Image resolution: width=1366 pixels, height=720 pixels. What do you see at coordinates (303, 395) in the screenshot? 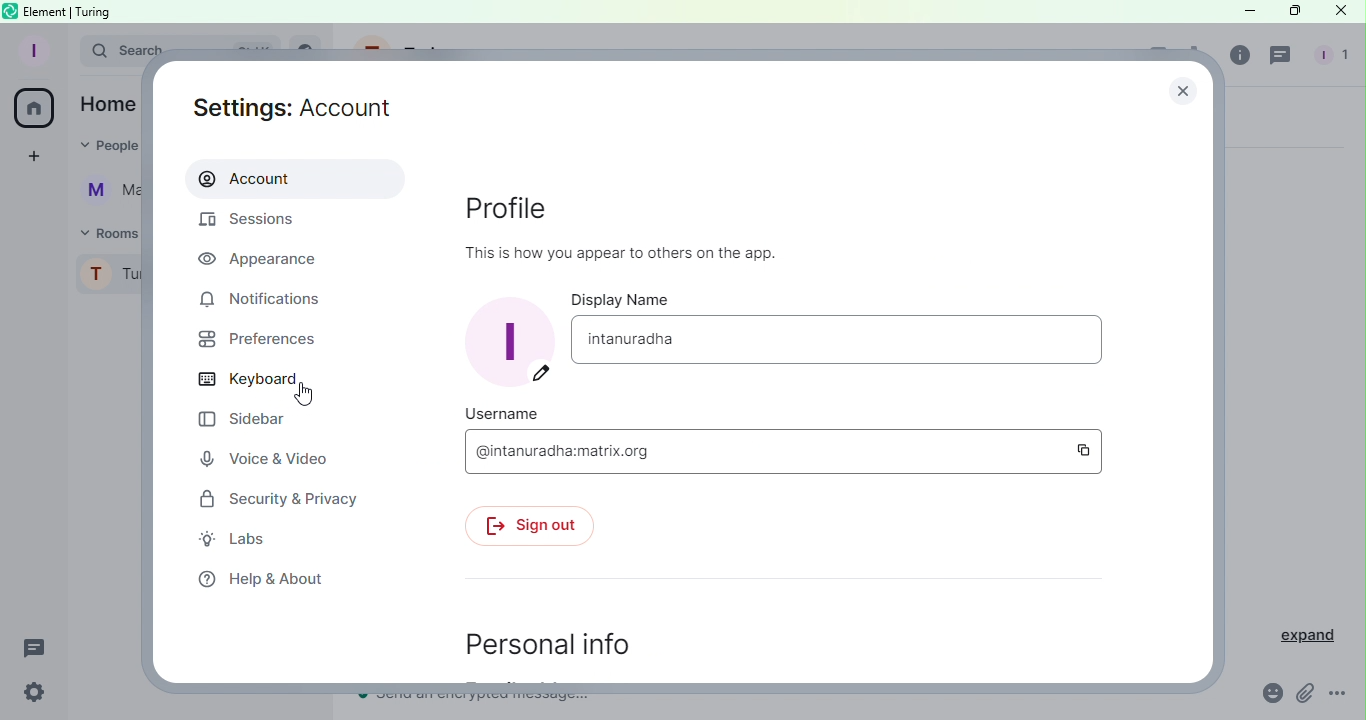
I see `Cursor` at bounding box center [303, 395].